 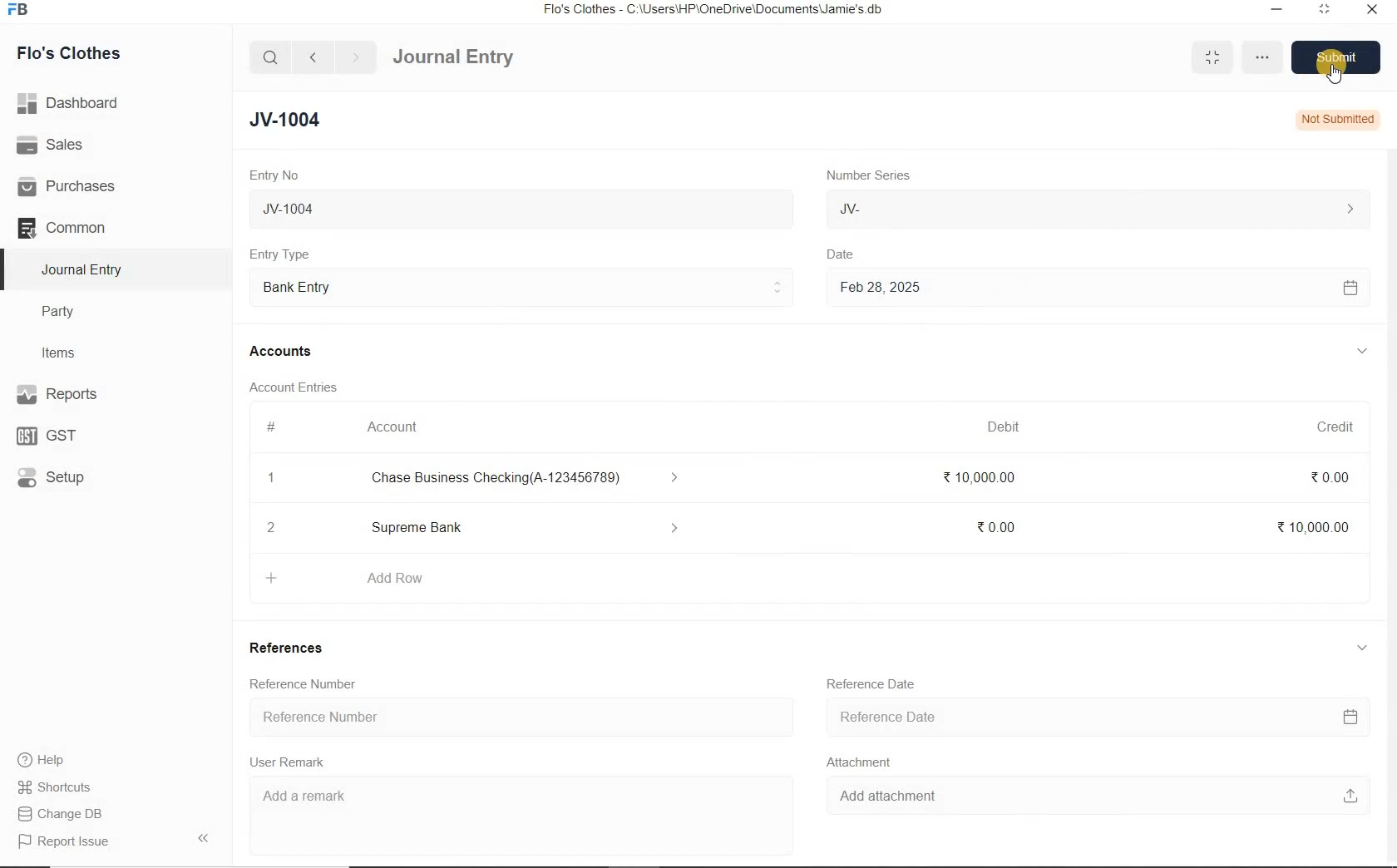 What do you see at coordinates (357, 57) in the screenshot?
I see `forward` at bounding box center [357, 57].